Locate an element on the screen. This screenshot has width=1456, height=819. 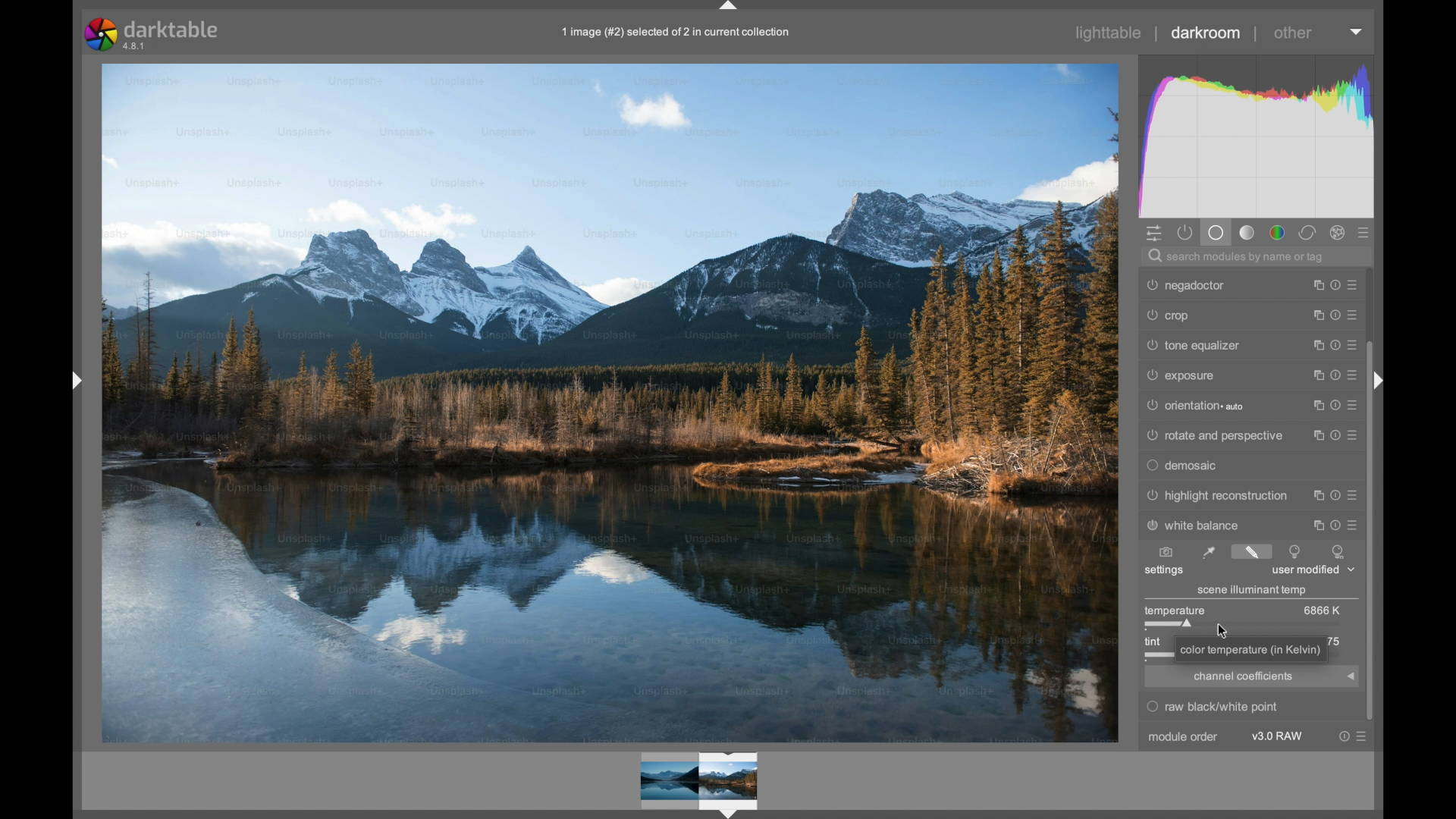
dropdown is located at coordinates (1356, 32).